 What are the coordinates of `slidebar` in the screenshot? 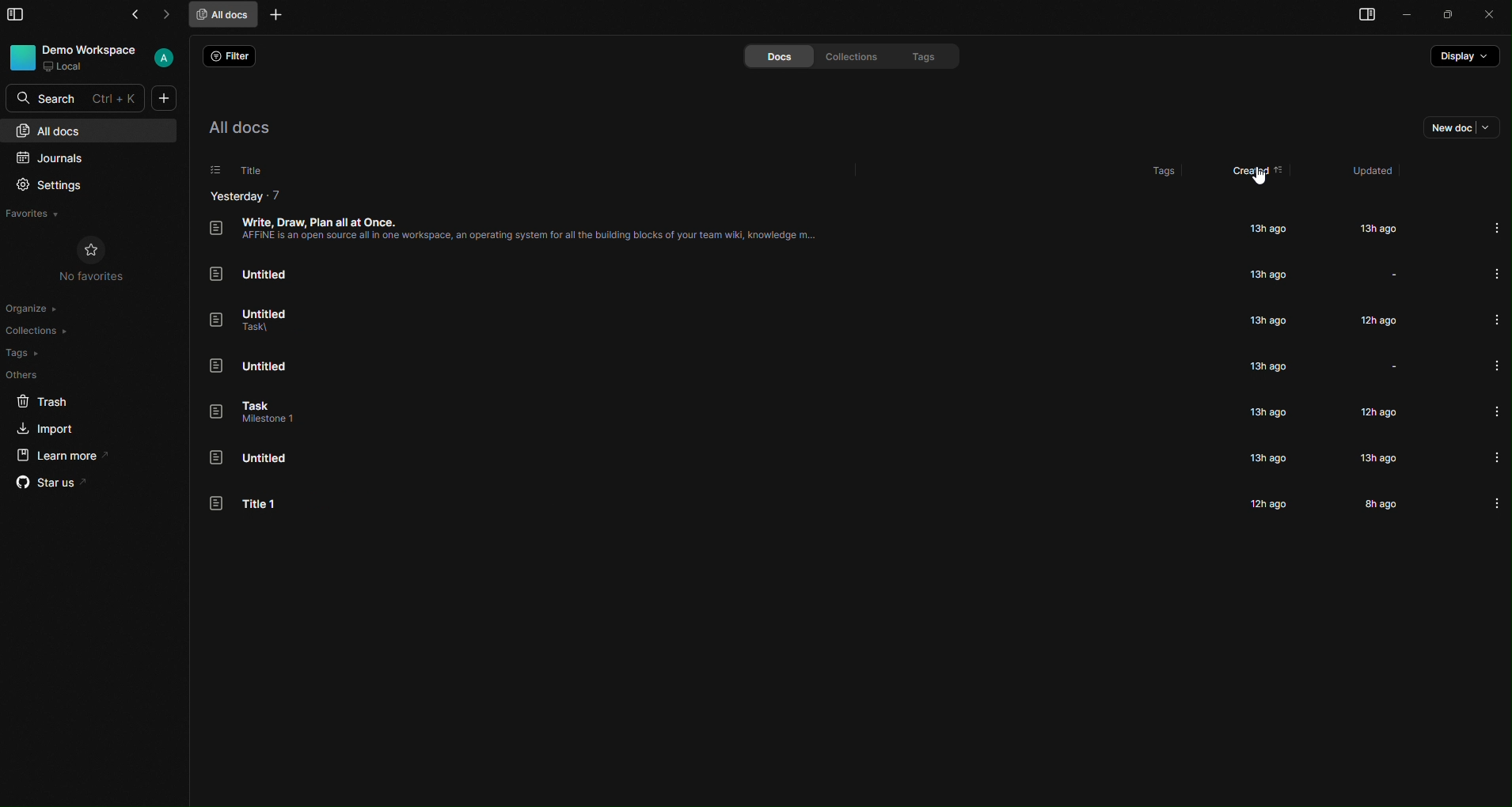 It's located at (18, 17).